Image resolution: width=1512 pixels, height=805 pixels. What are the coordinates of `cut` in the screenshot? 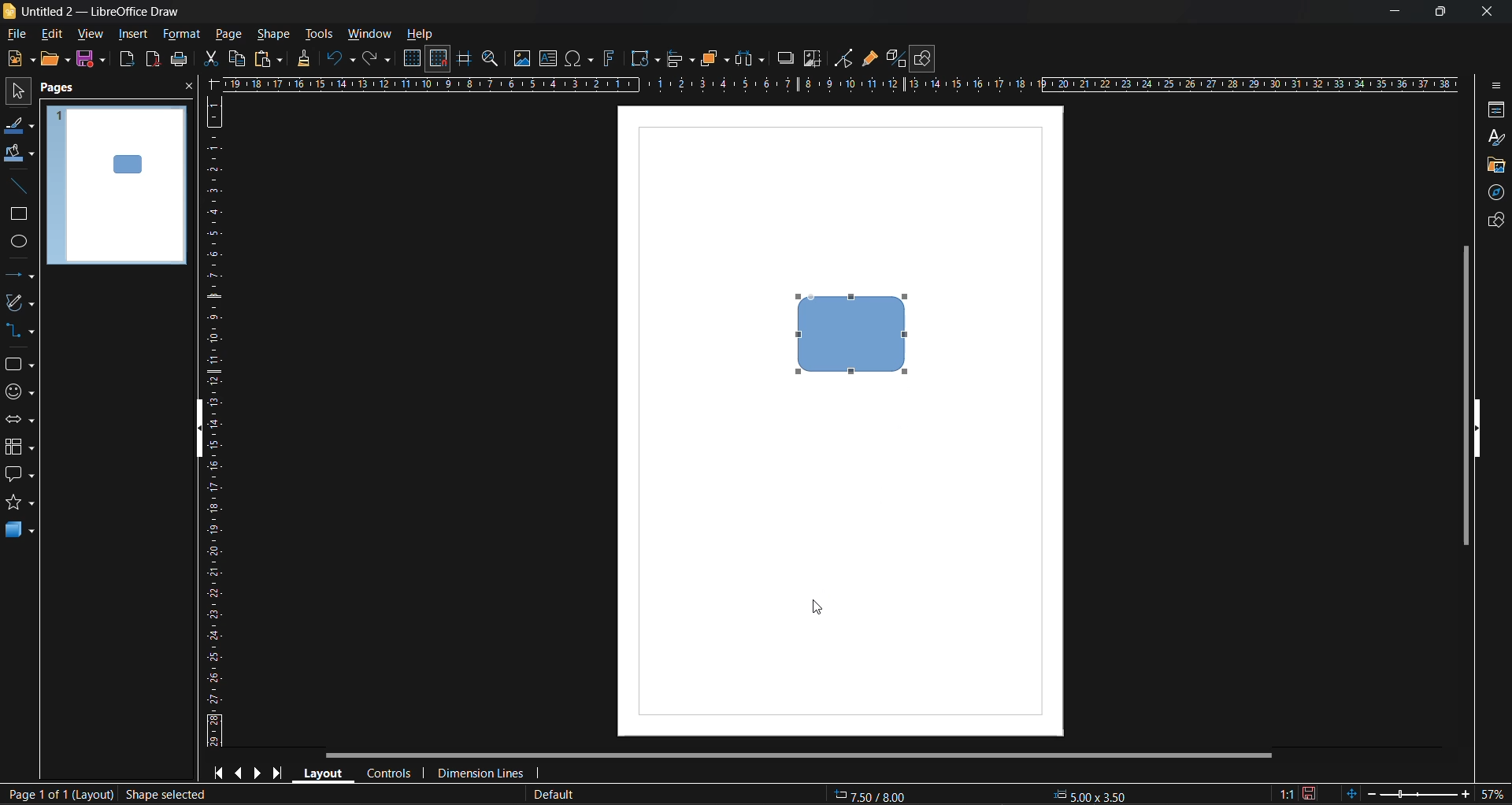 It's located at (213, 59).